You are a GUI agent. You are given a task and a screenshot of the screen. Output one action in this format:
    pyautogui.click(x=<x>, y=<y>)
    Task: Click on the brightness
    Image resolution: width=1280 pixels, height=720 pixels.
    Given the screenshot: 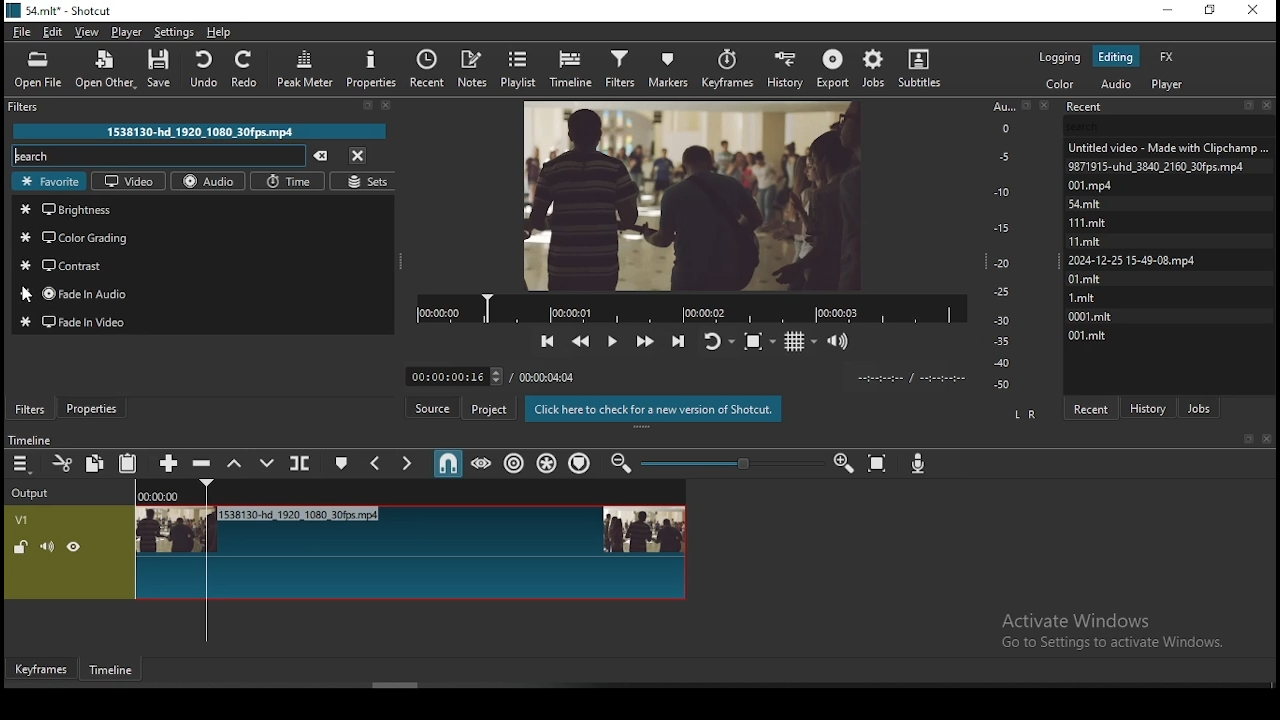 What is the action you would take?
    pyautogui.click(x=203, y=207)
    